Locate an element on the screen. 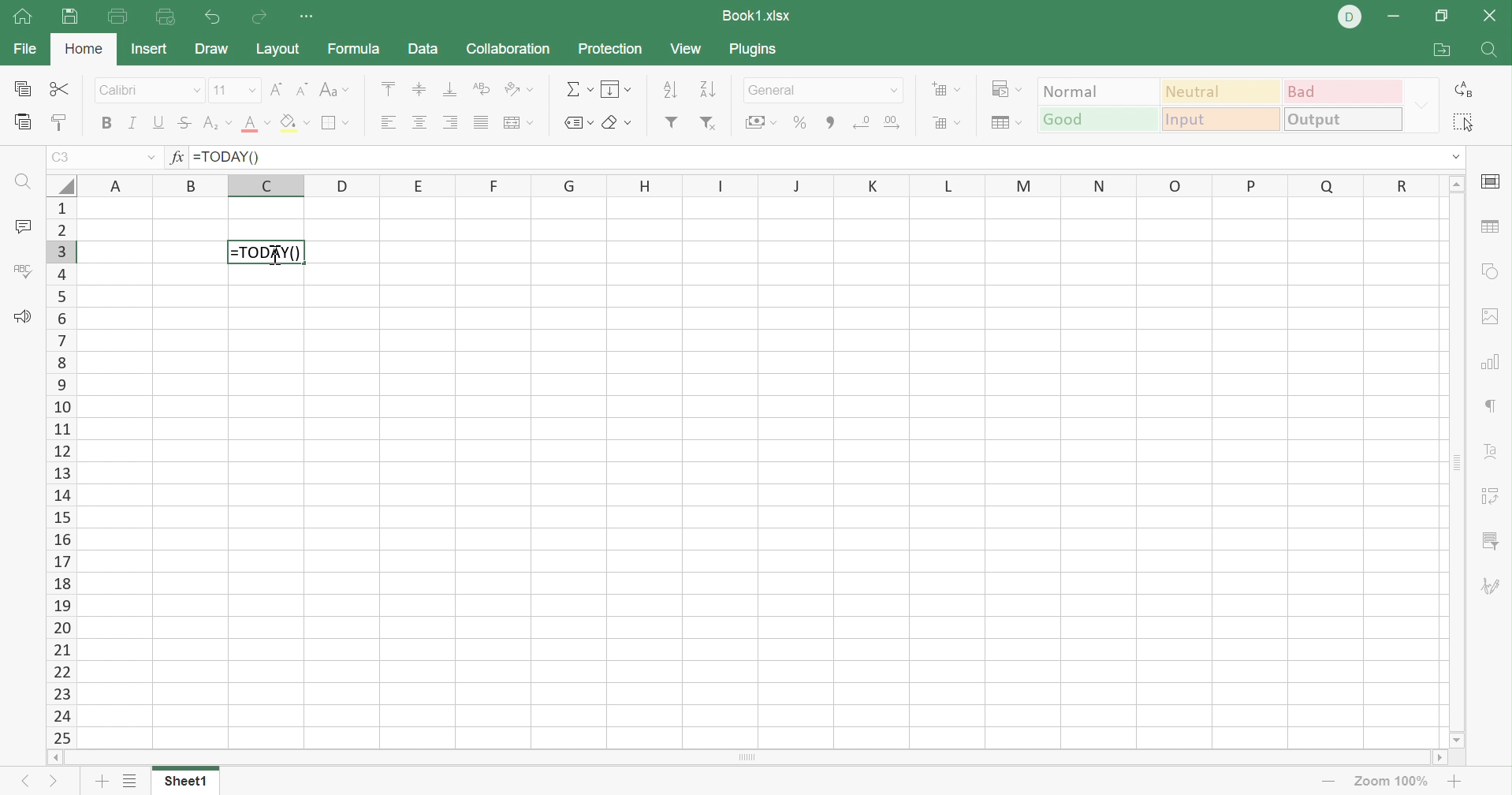 This screenshot has height=795, width=1512. Drop Down is located at coordinates (248, 89).